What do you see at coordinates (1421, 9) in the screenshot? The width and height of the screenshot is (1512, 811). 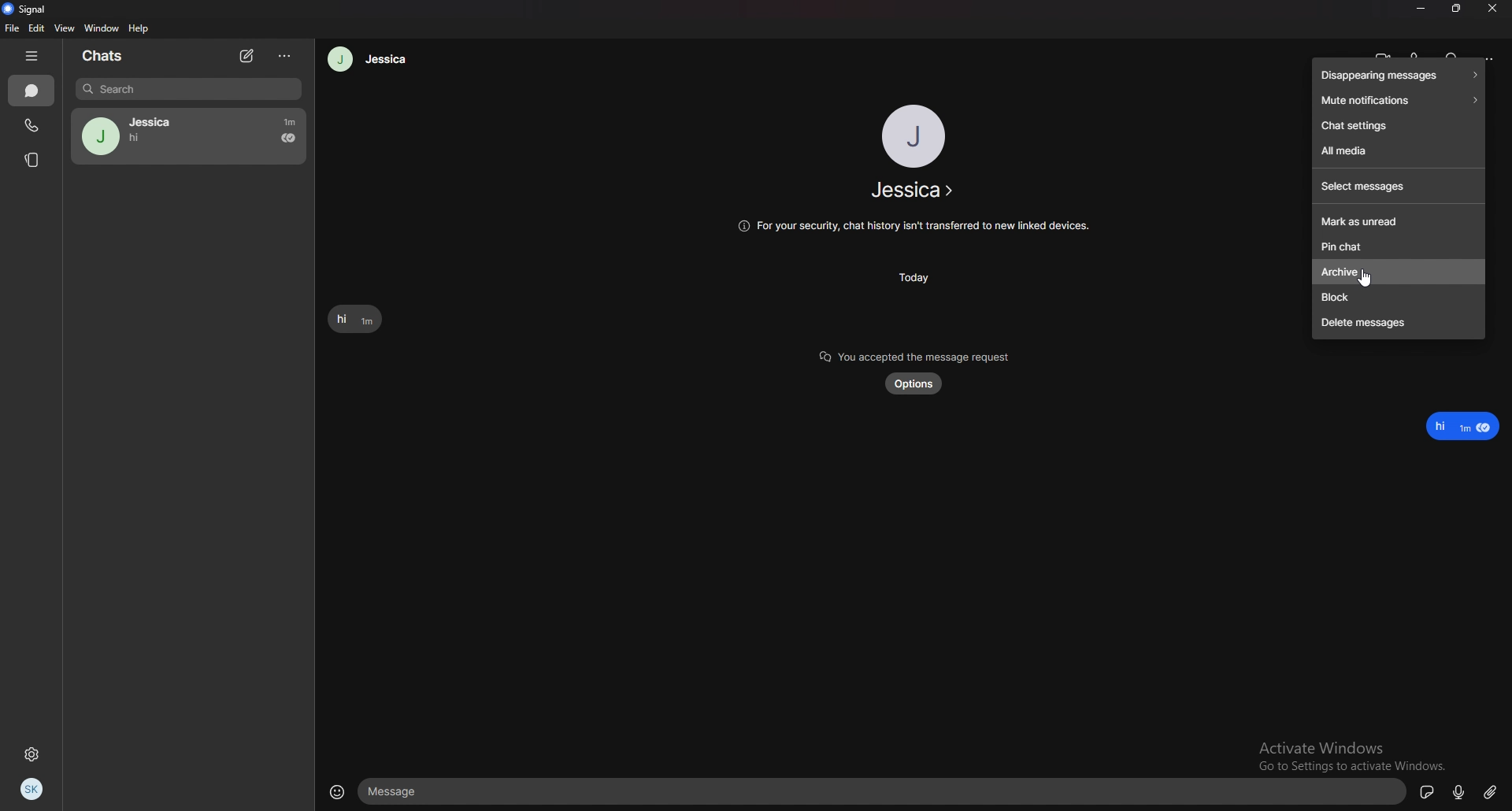 I see `Minimize` at bounding box center [1421, 9].